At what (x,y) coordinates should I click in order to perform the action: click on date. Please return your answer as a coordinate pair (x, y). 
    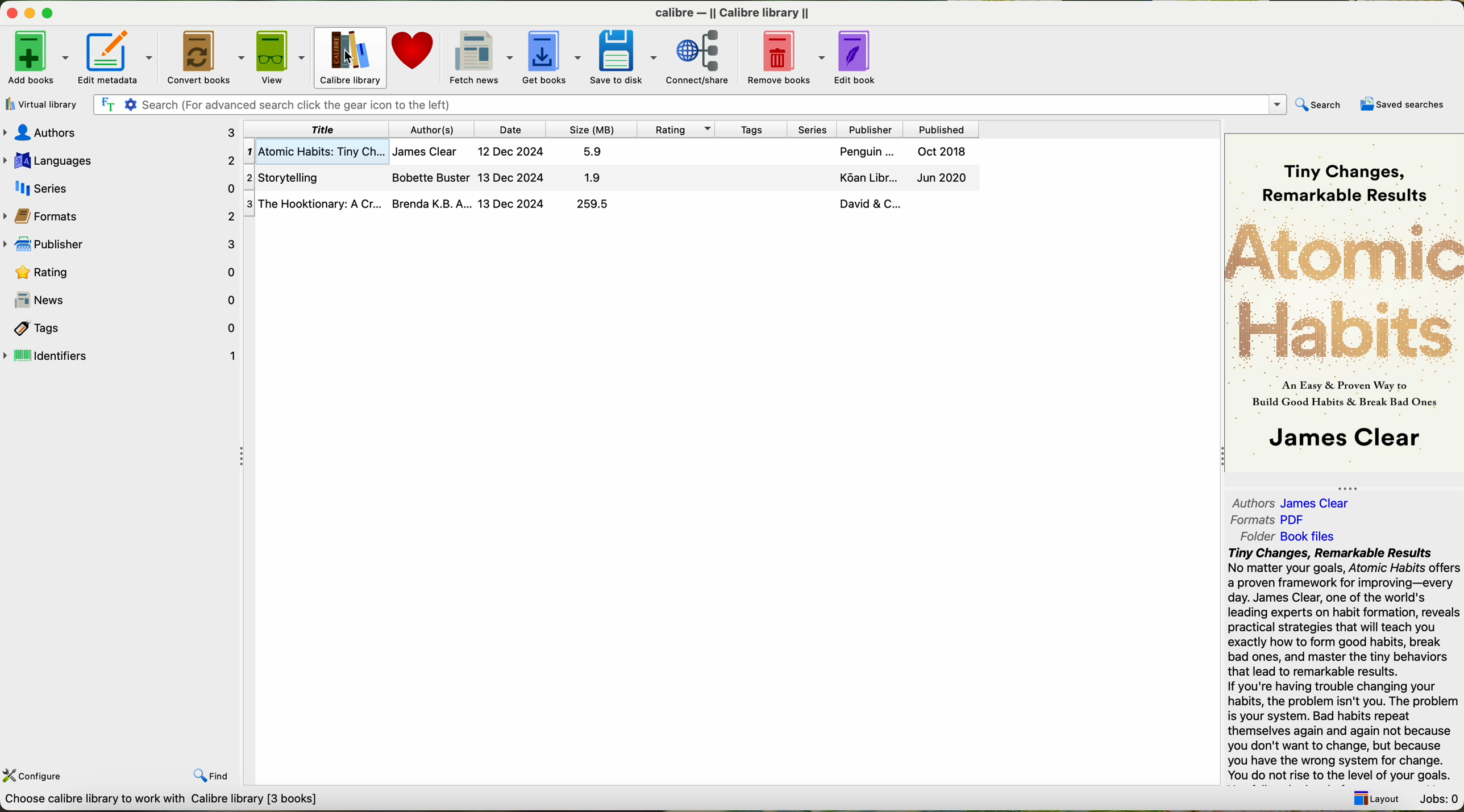
    Looking at the image, I should click on (510, 129).